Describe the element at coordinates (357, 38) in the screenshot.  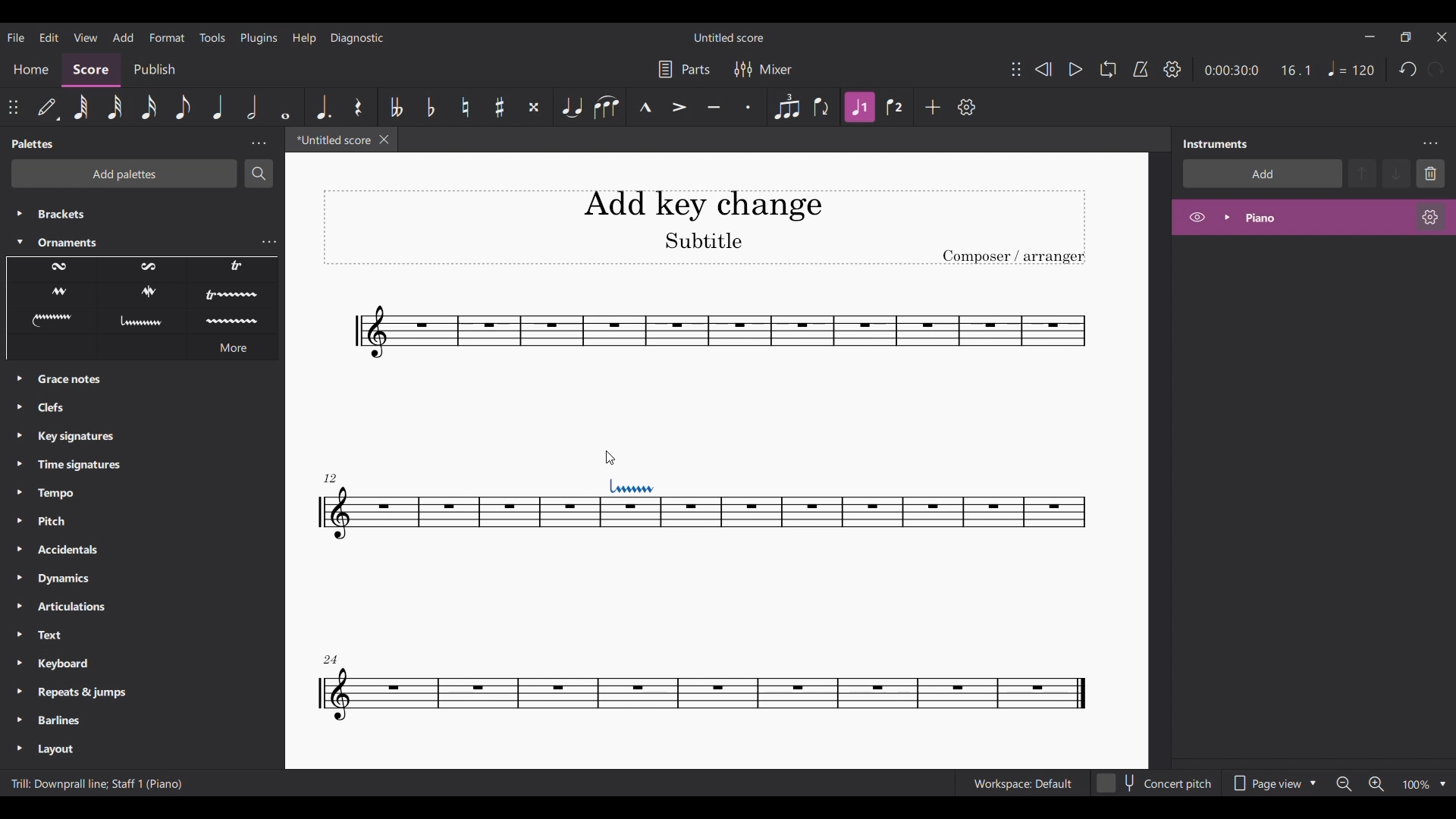
I see `Diagnostic menu` at that location.